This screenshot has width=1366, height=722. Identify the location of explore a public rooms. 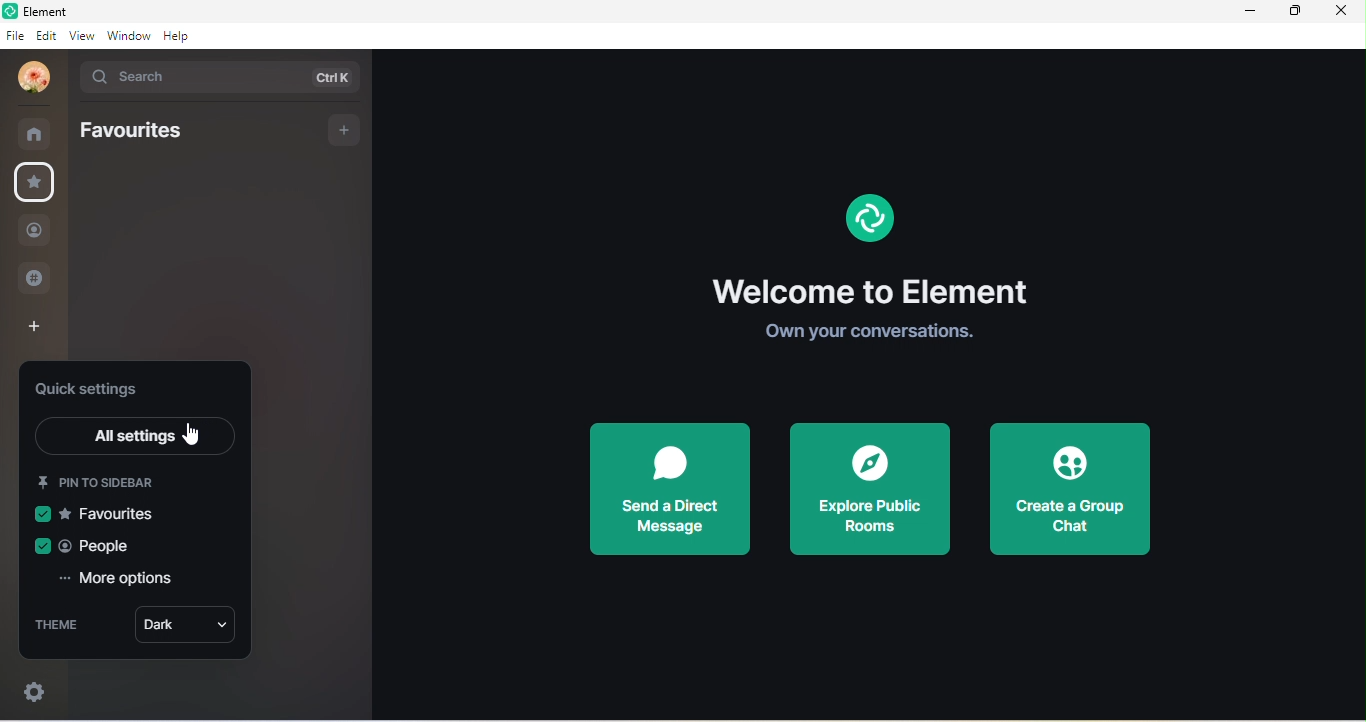
(870, 490).